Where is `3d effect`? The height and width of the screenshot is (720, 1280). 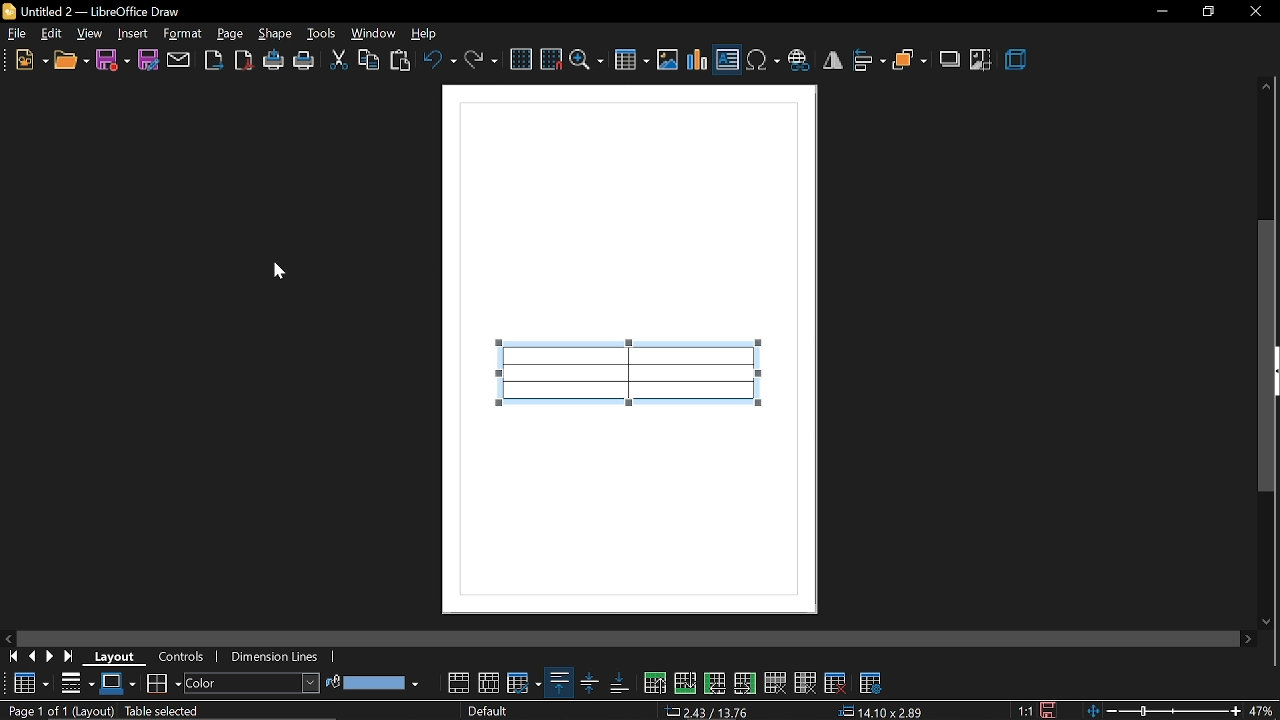
3d effect is located at coordinates (1018, 61).